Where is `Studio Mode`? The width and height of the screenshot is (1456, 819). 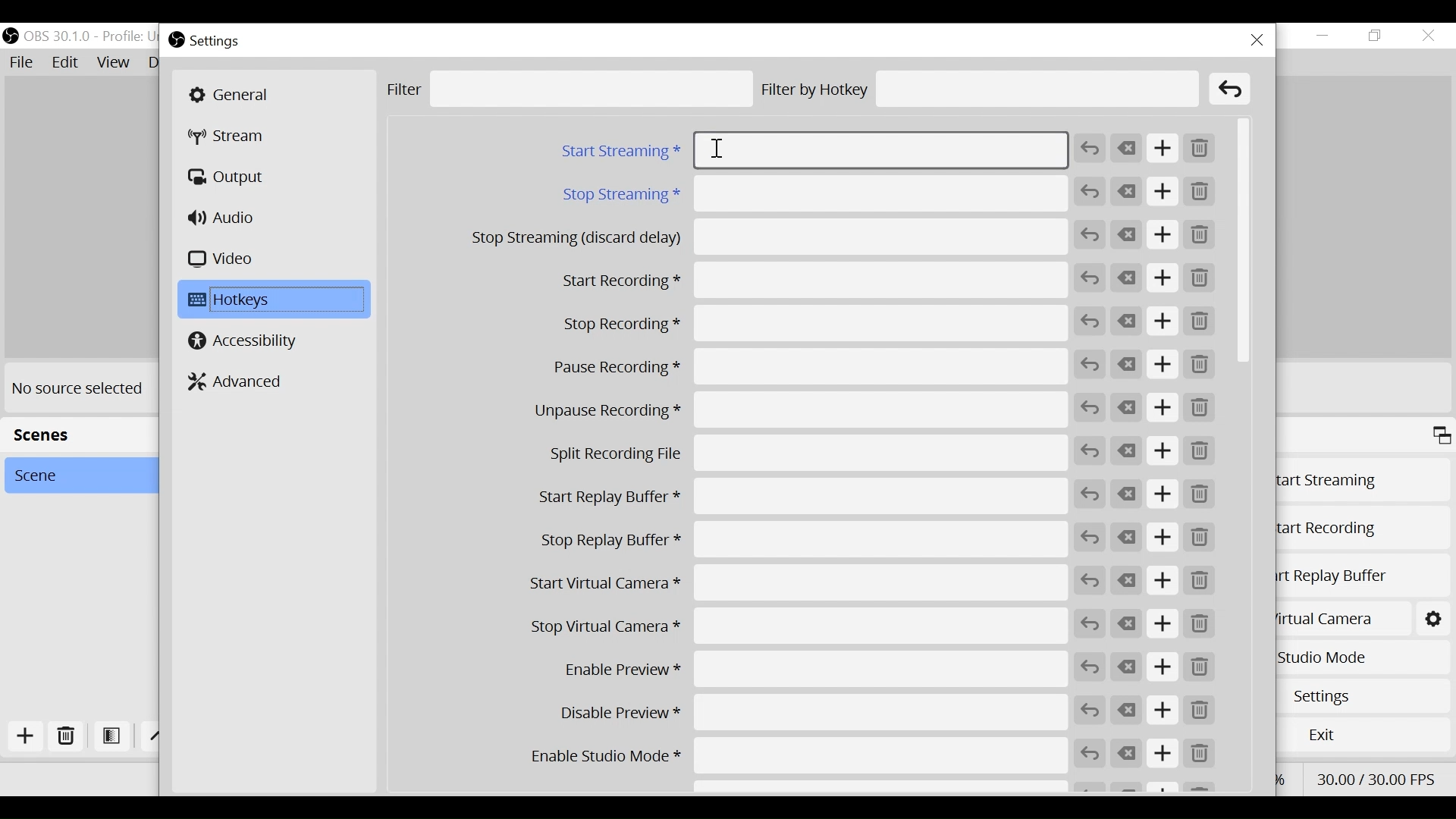 Studio Mode is located at coordinates (1361, 657).